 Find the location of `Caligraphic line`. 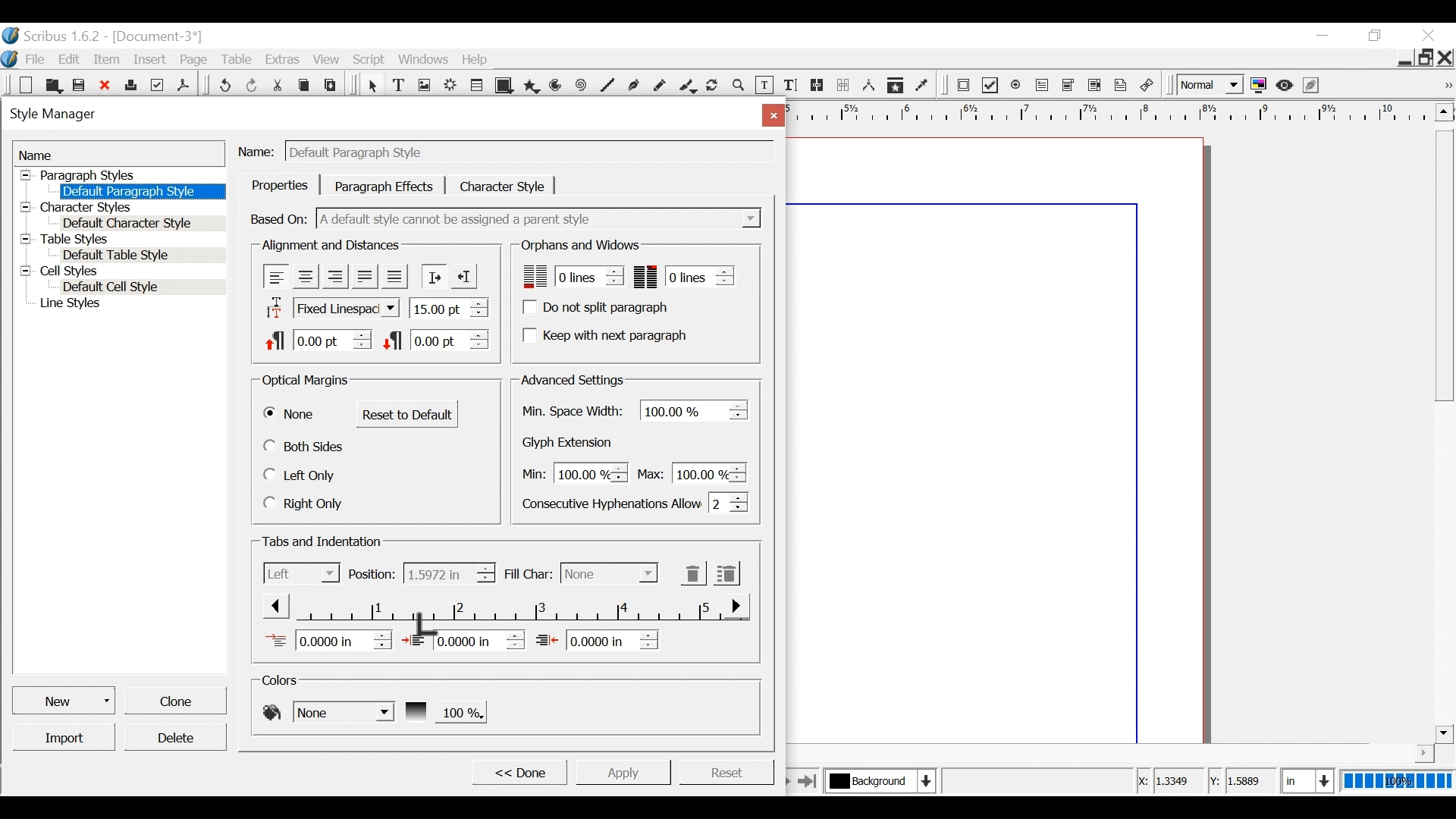

Caligraphic line is located at coordinates (689, 87).